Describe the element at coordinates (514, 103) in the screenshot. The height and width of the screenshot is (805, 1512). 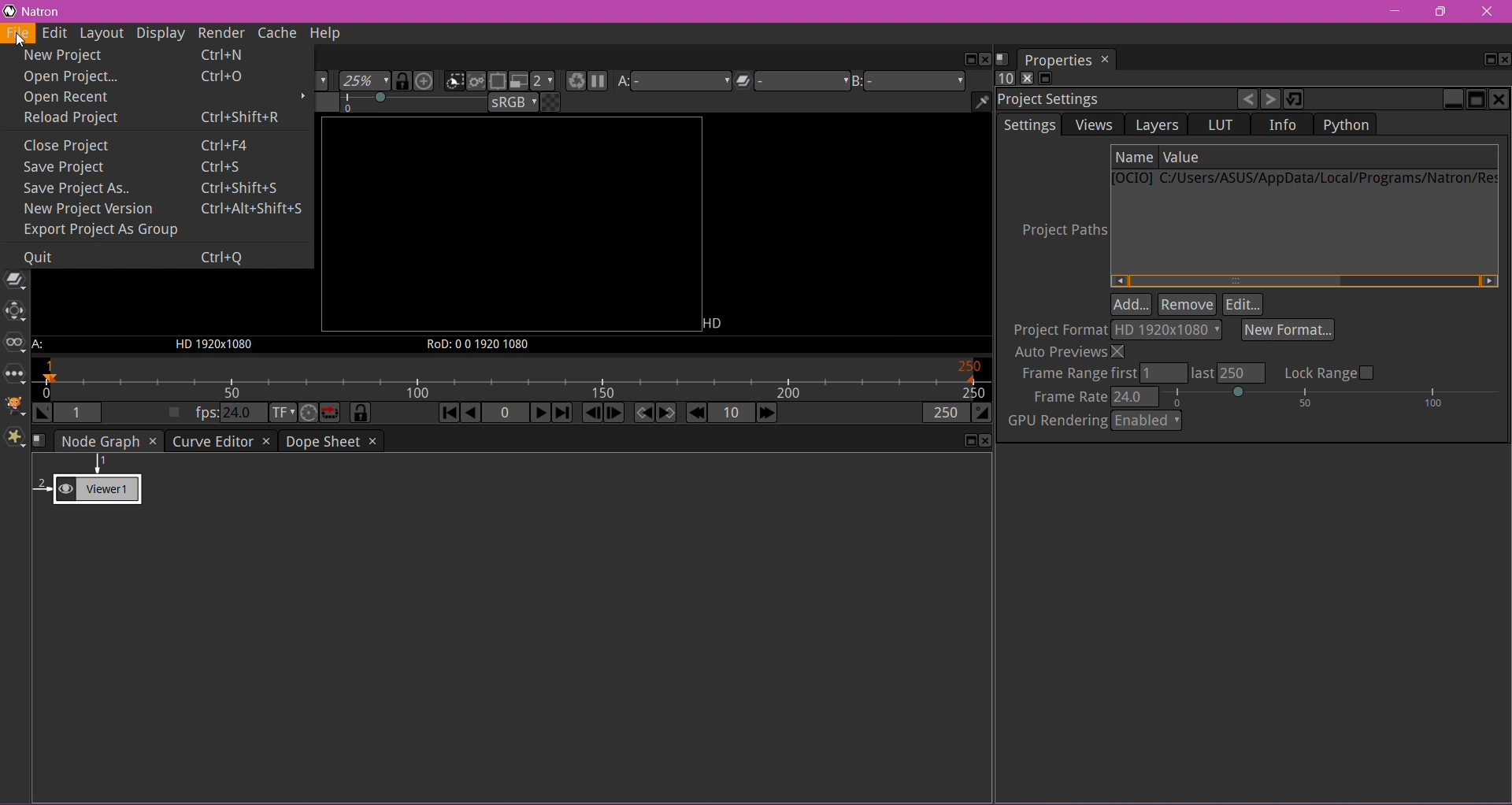
I see `Viewer color process` at that location.